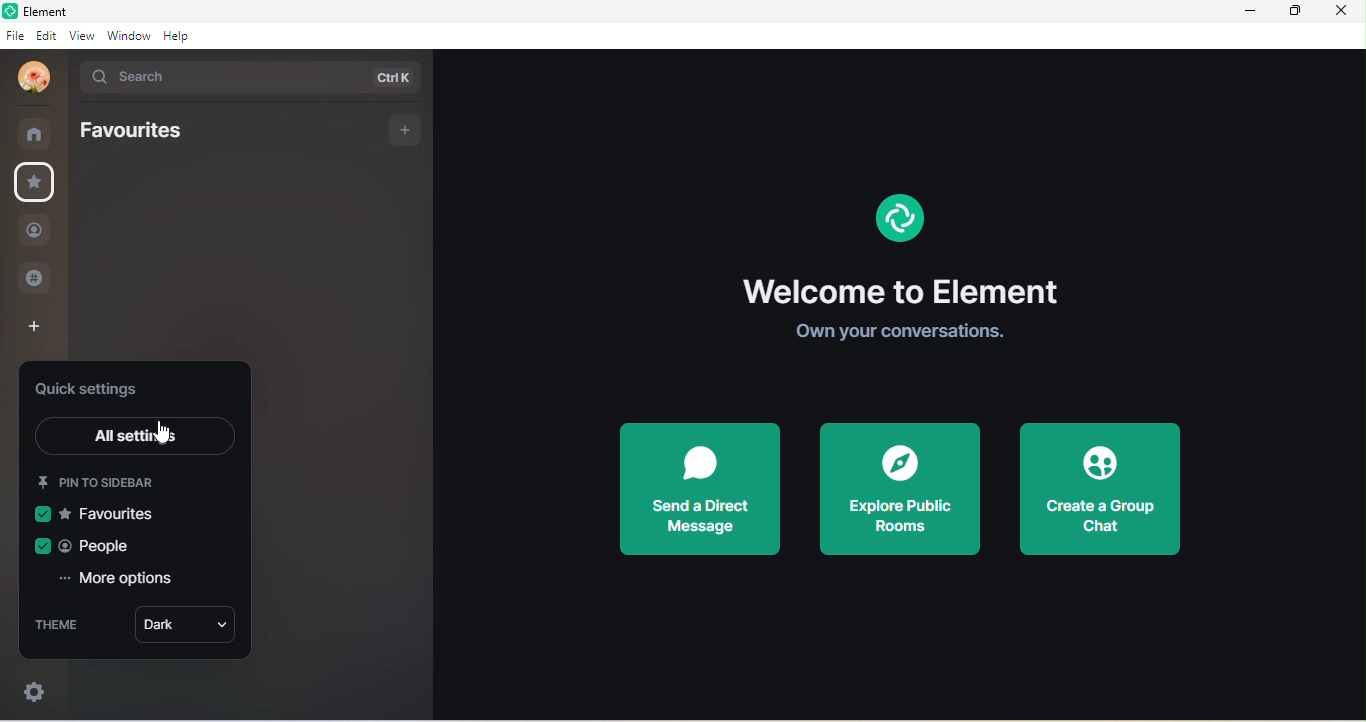  I want to click on theme, so click(62, 626).